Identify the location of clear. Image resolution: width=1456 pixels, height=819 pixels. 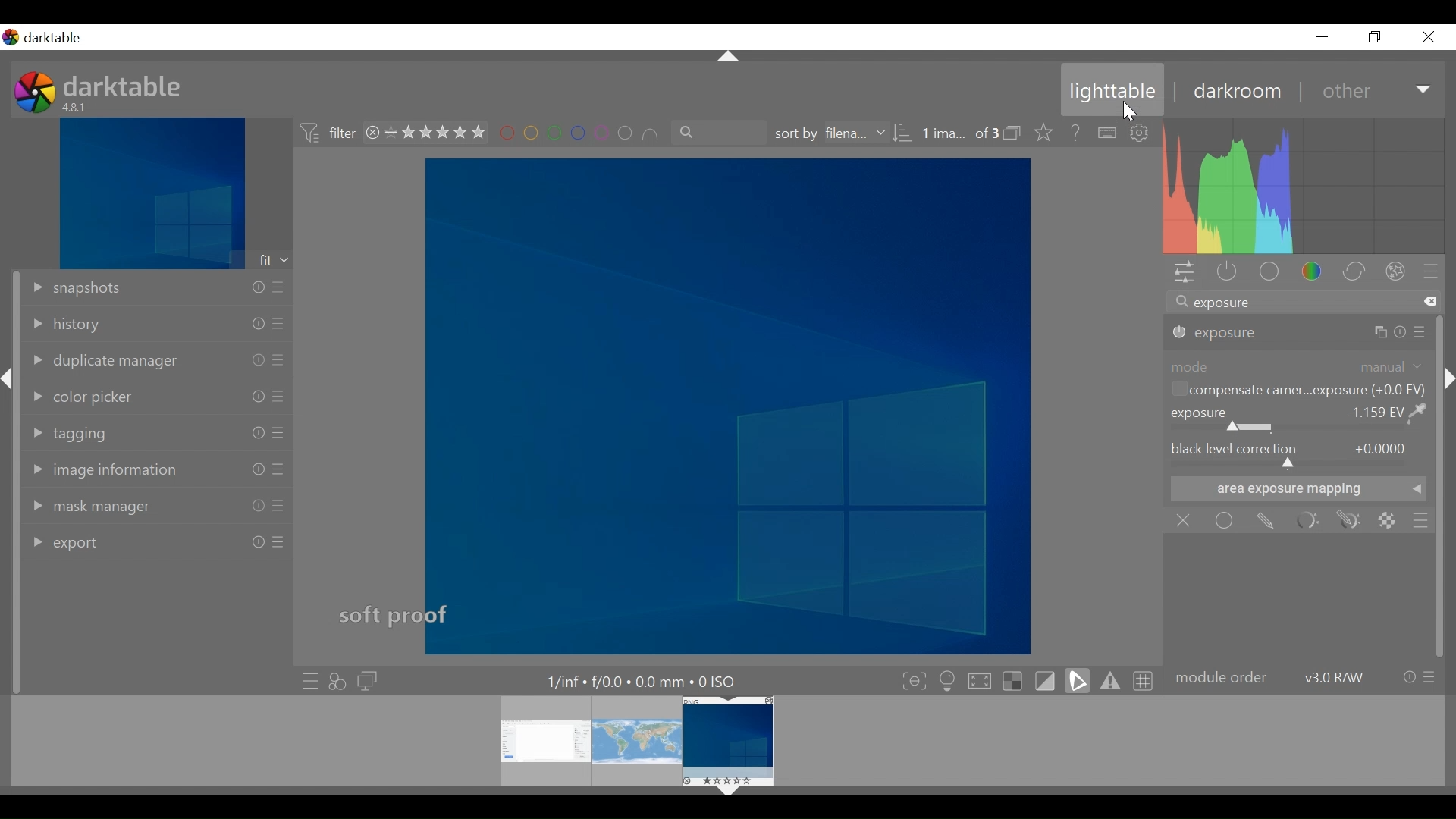
(1432, 301).